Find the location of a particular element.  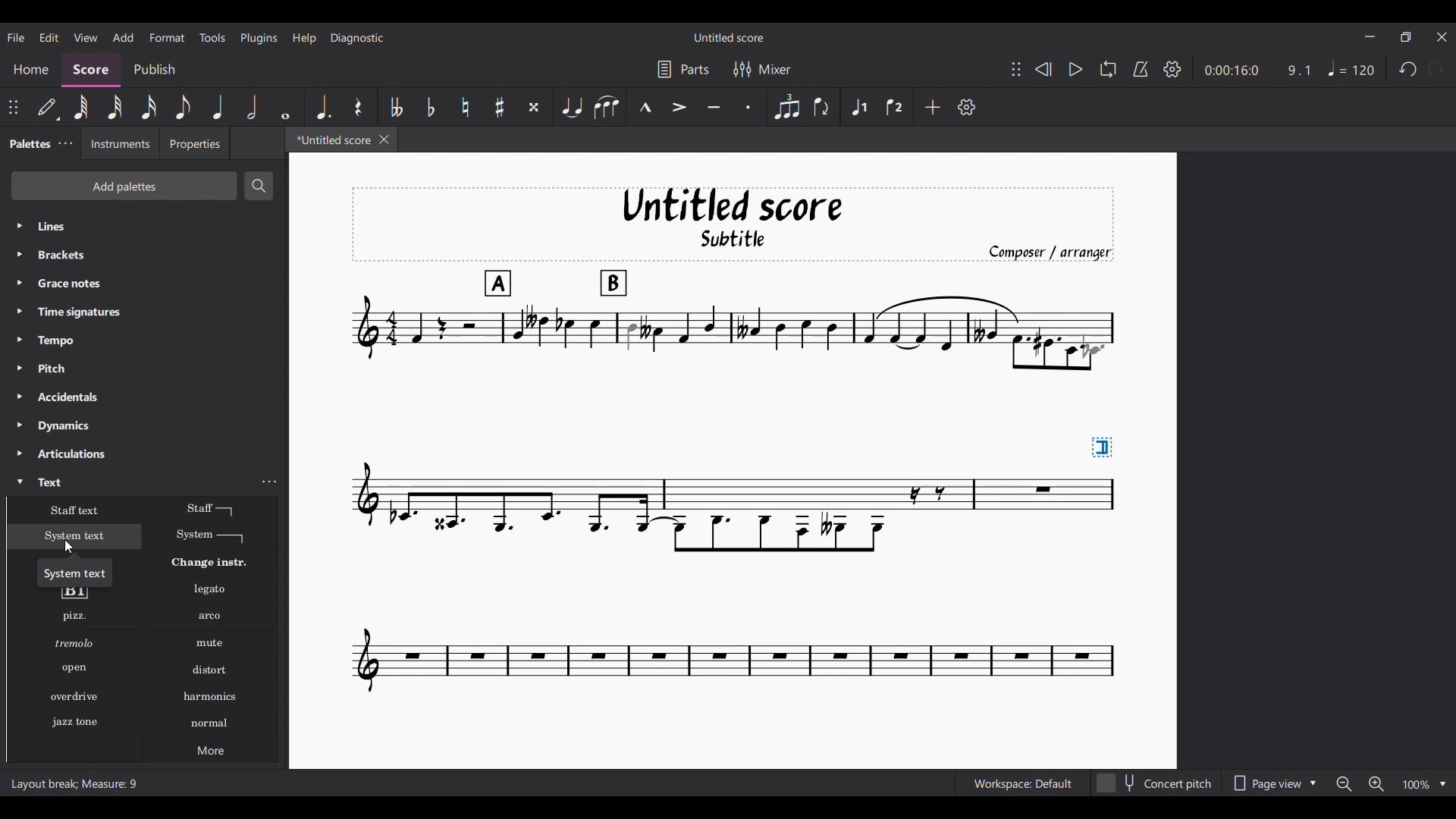

Minimize is located at coordinates (1370, 36).